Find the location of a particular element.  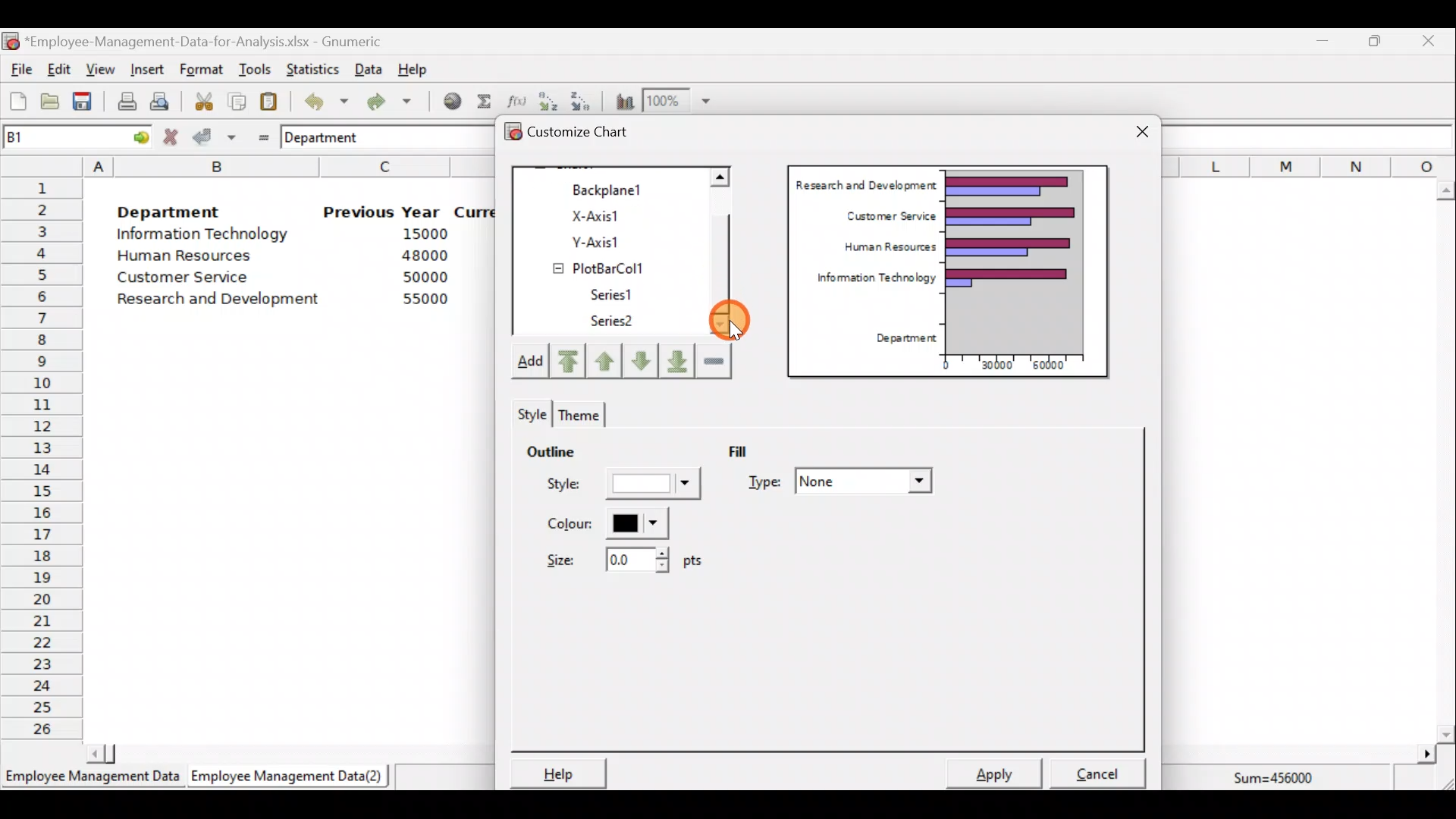

Print current file is located at coordinates (127, 101).